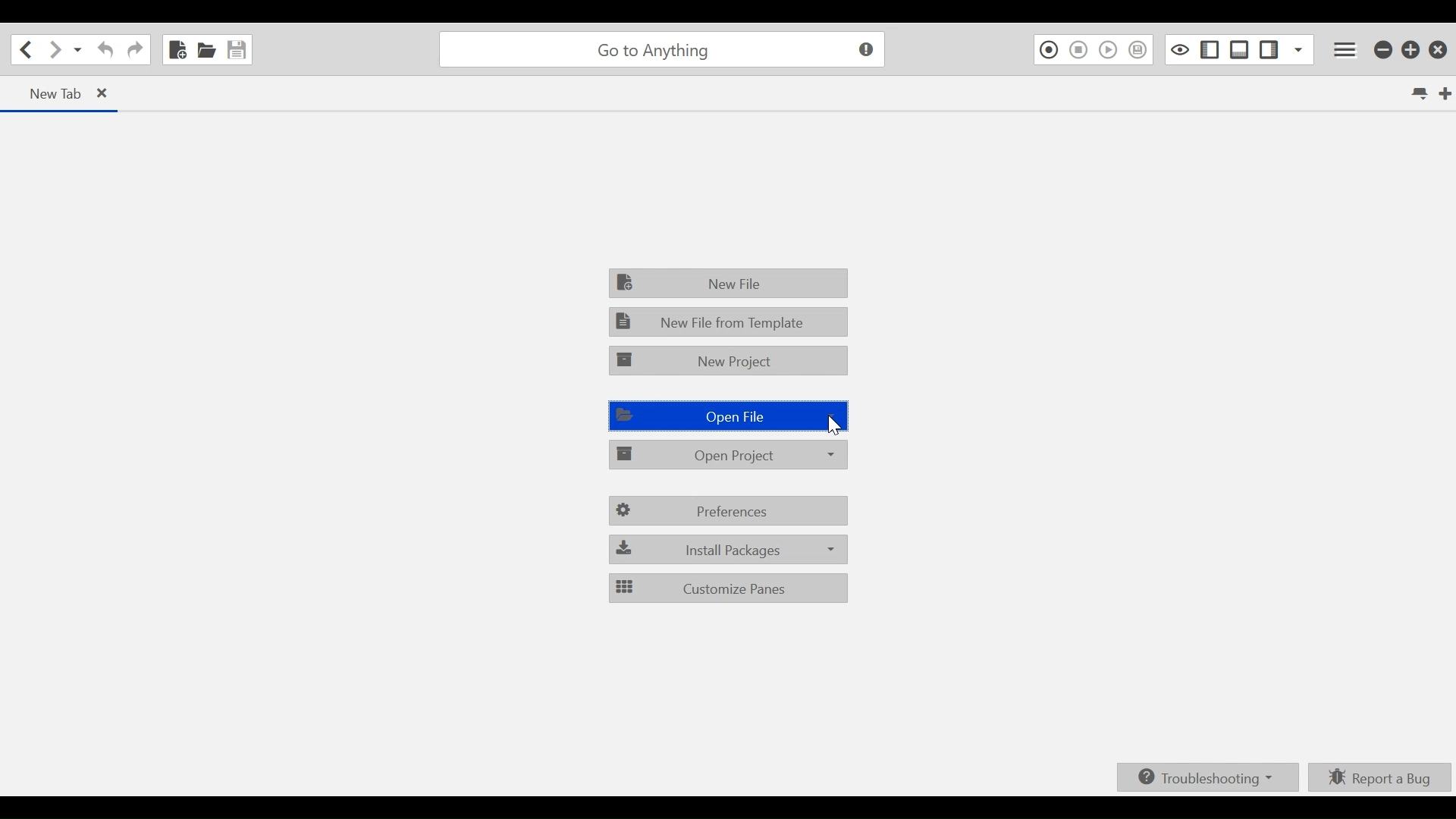 Image resolution: width=1456 pixels, height=819 pixels. Describe the element at coordinates (1207, 776) in the screenshot. I see `Troubleshooting` at that location.